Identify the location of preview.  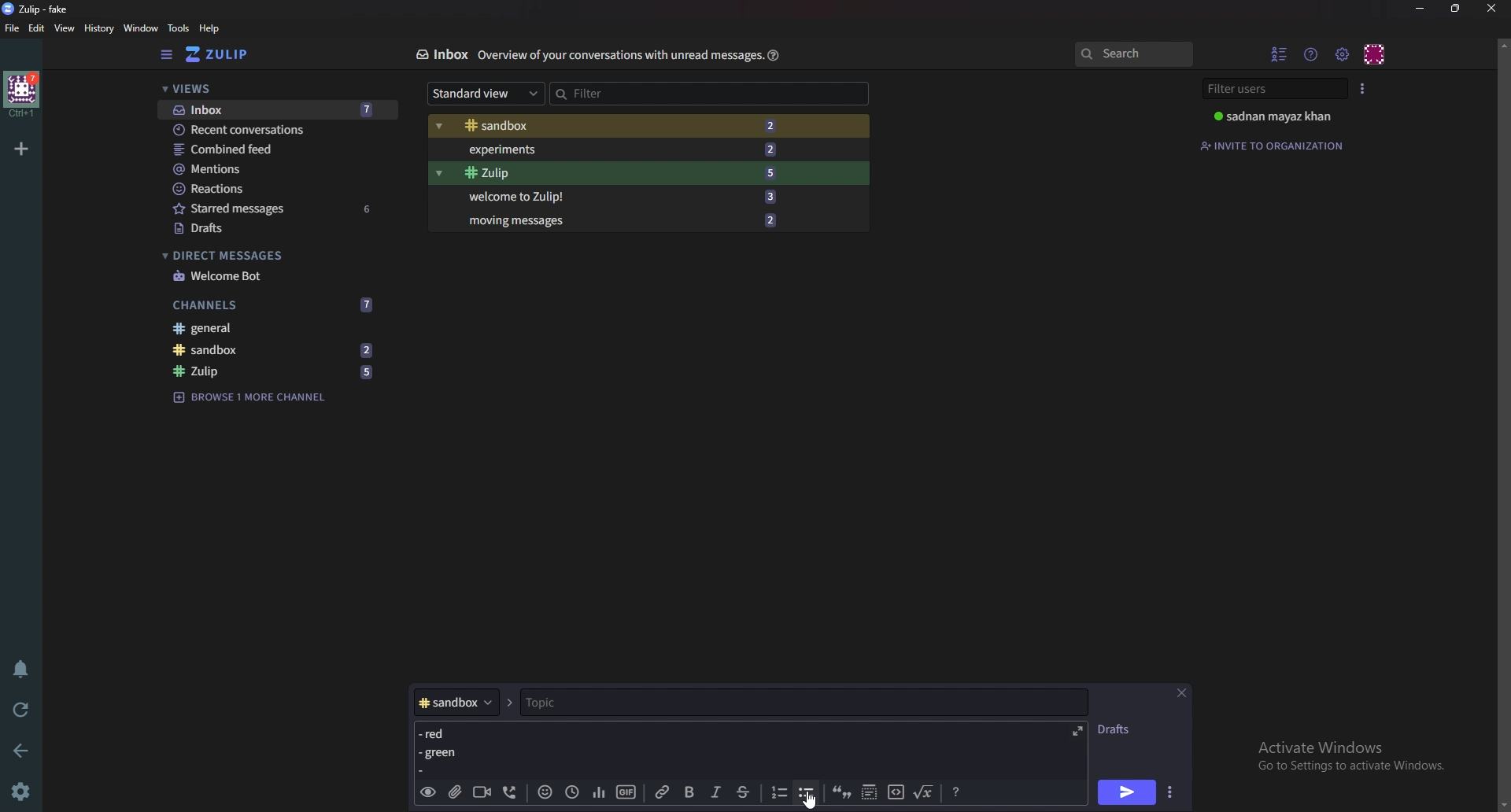
(427, 793).